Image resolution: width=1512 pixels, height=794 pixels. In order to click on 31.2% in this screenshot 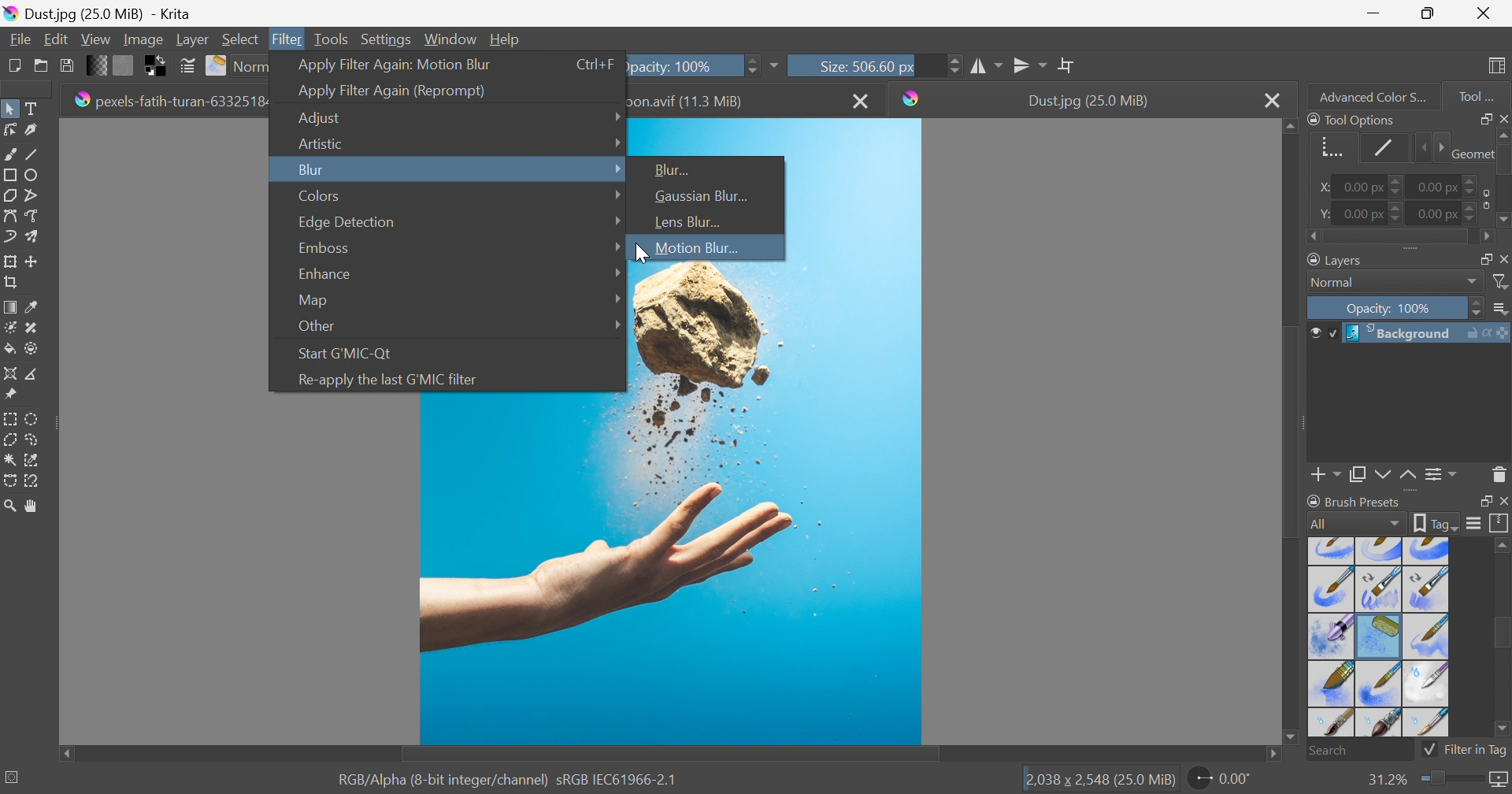, I will do `click(1385, 779)`.